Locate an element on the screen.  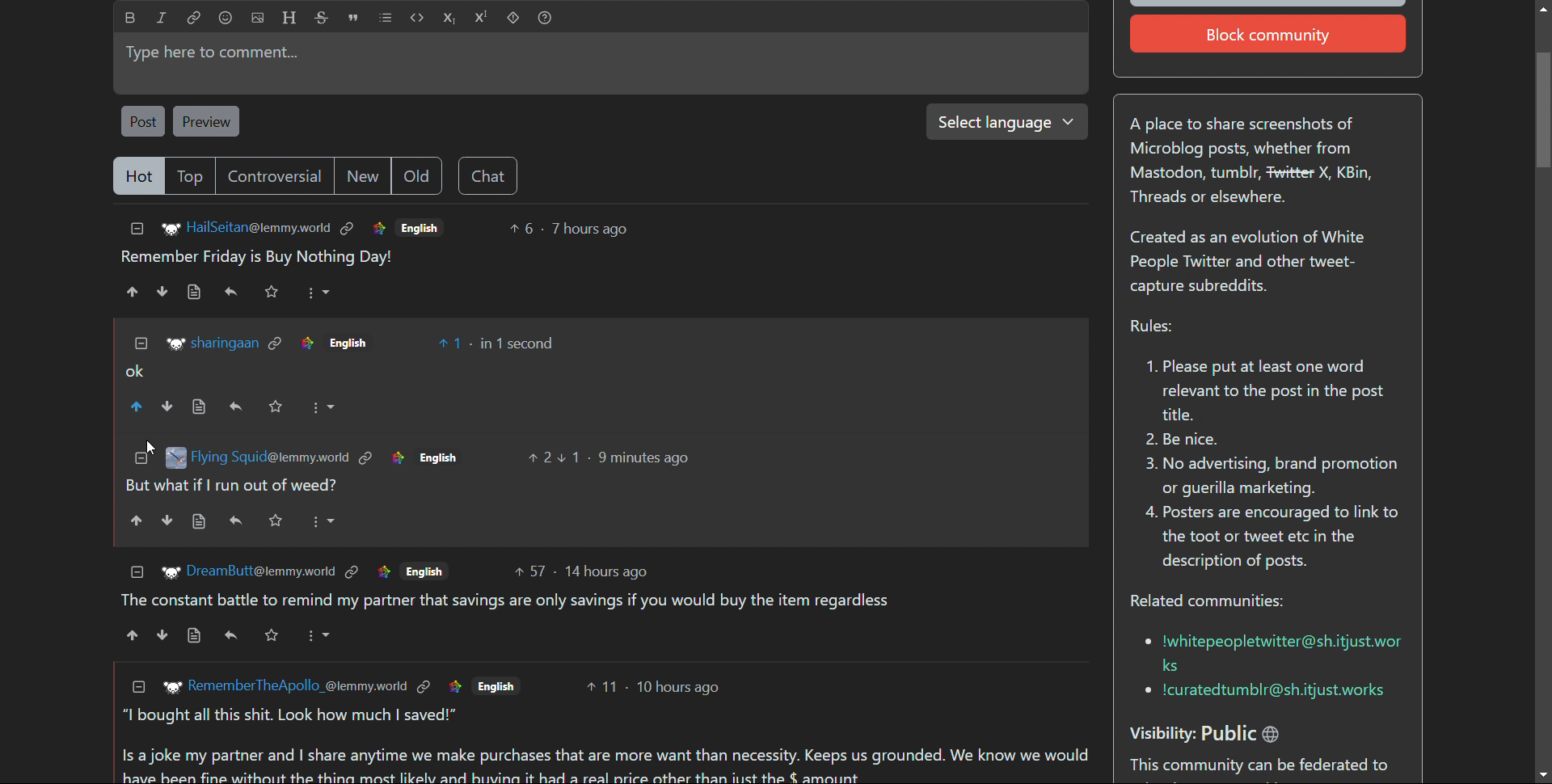
* lwhitepeopletwitter@sh.itjust.wor
ks is located at coordinates (1269, 651).